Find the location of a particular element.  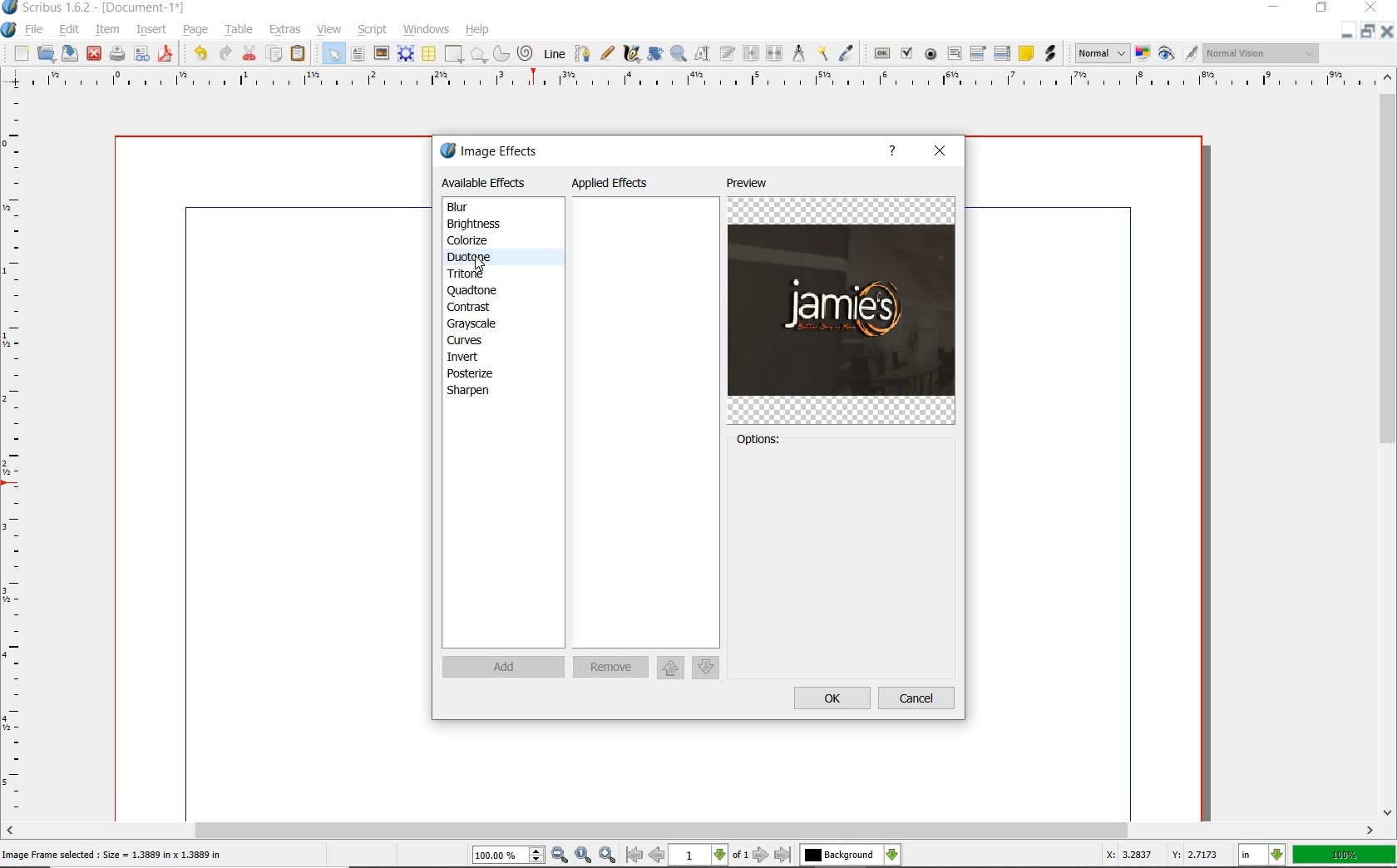

insert is located at coordinates (151, 28).